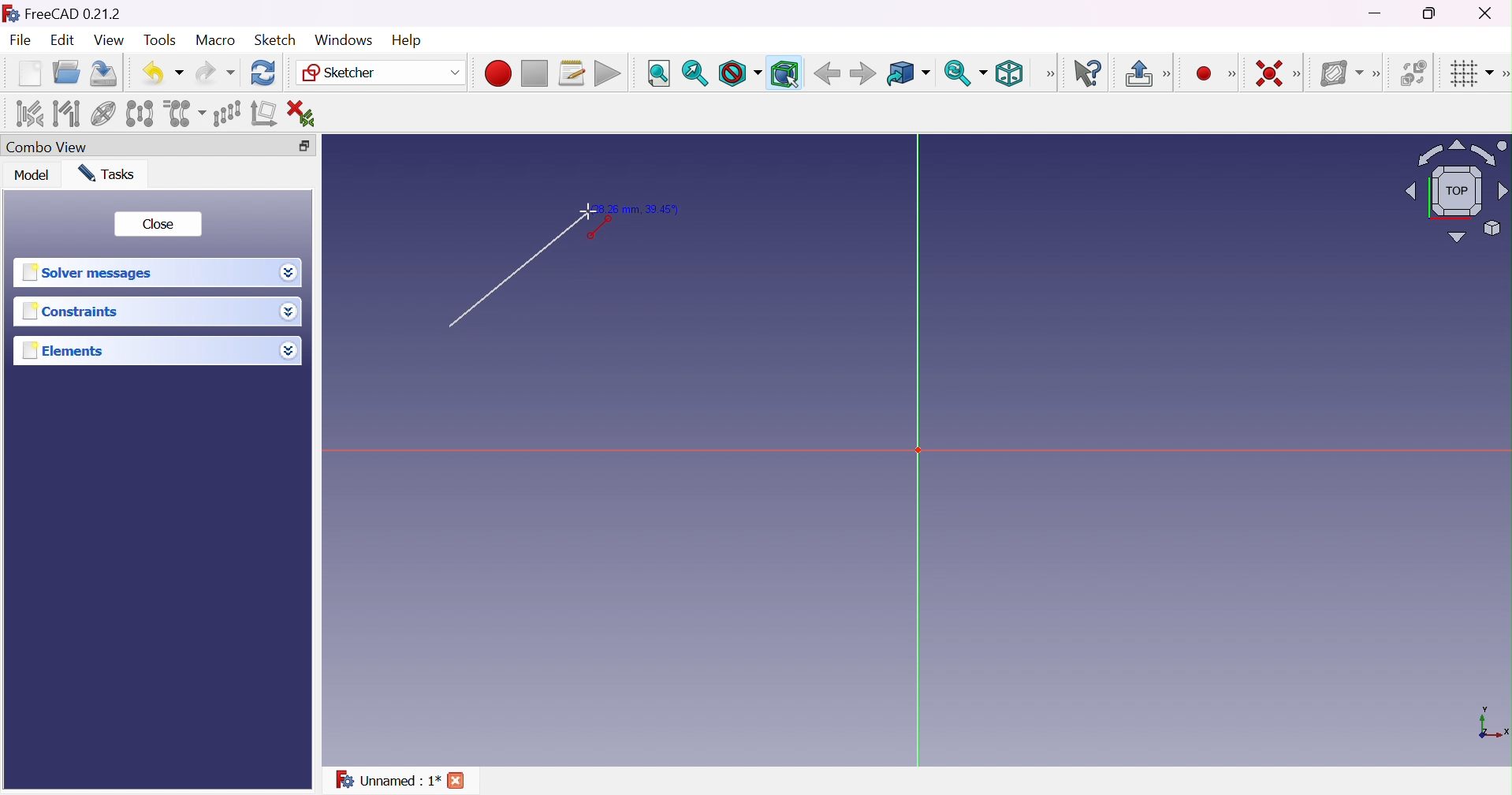 This screenshot has height=795, width=1512. What do you see at coordinates (32, 176) in the screenshot?
I see `Model` at bounding box center [32, 176].